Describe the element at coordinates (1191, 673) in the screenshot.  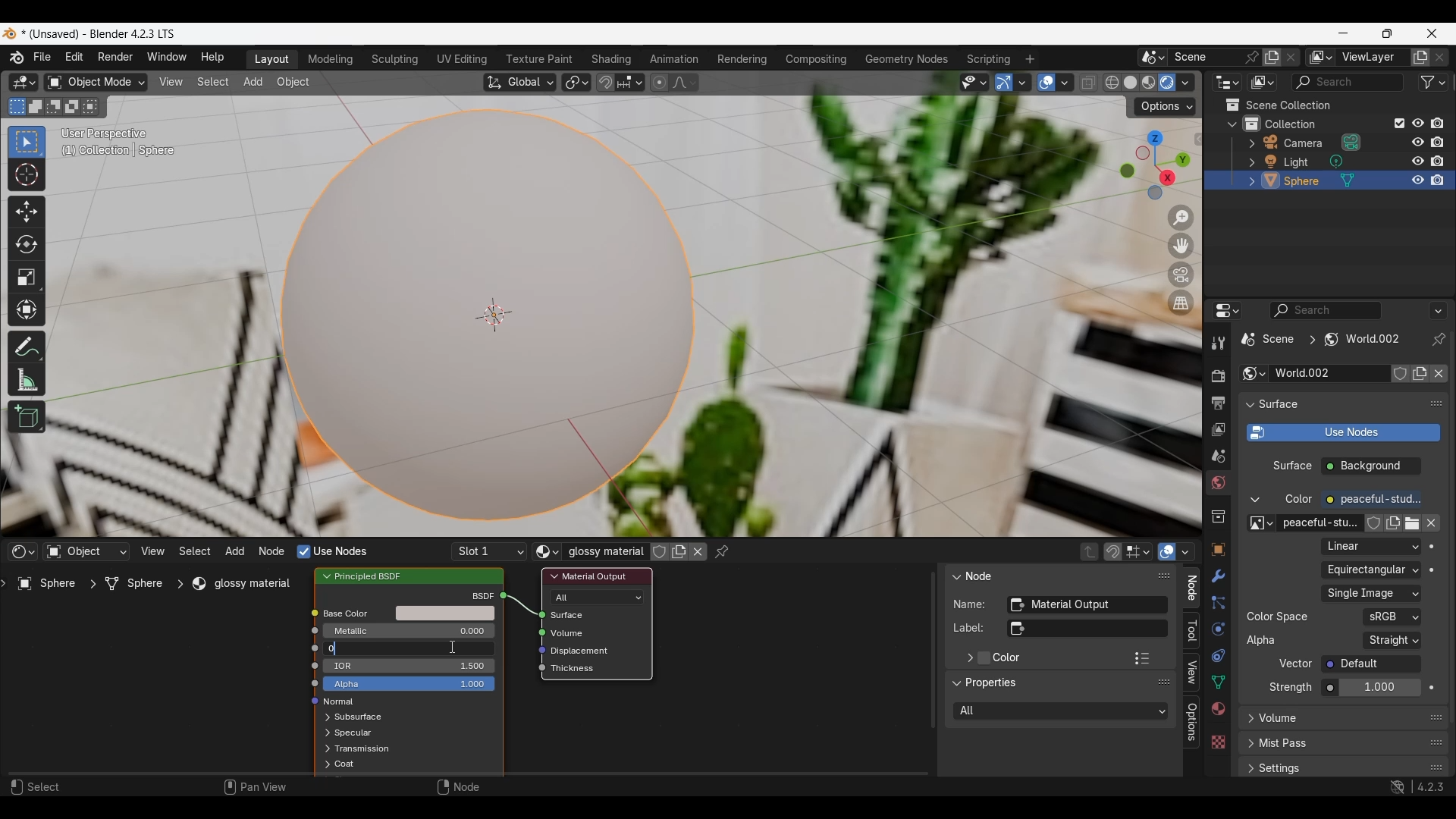
I see `View panel` at that location.